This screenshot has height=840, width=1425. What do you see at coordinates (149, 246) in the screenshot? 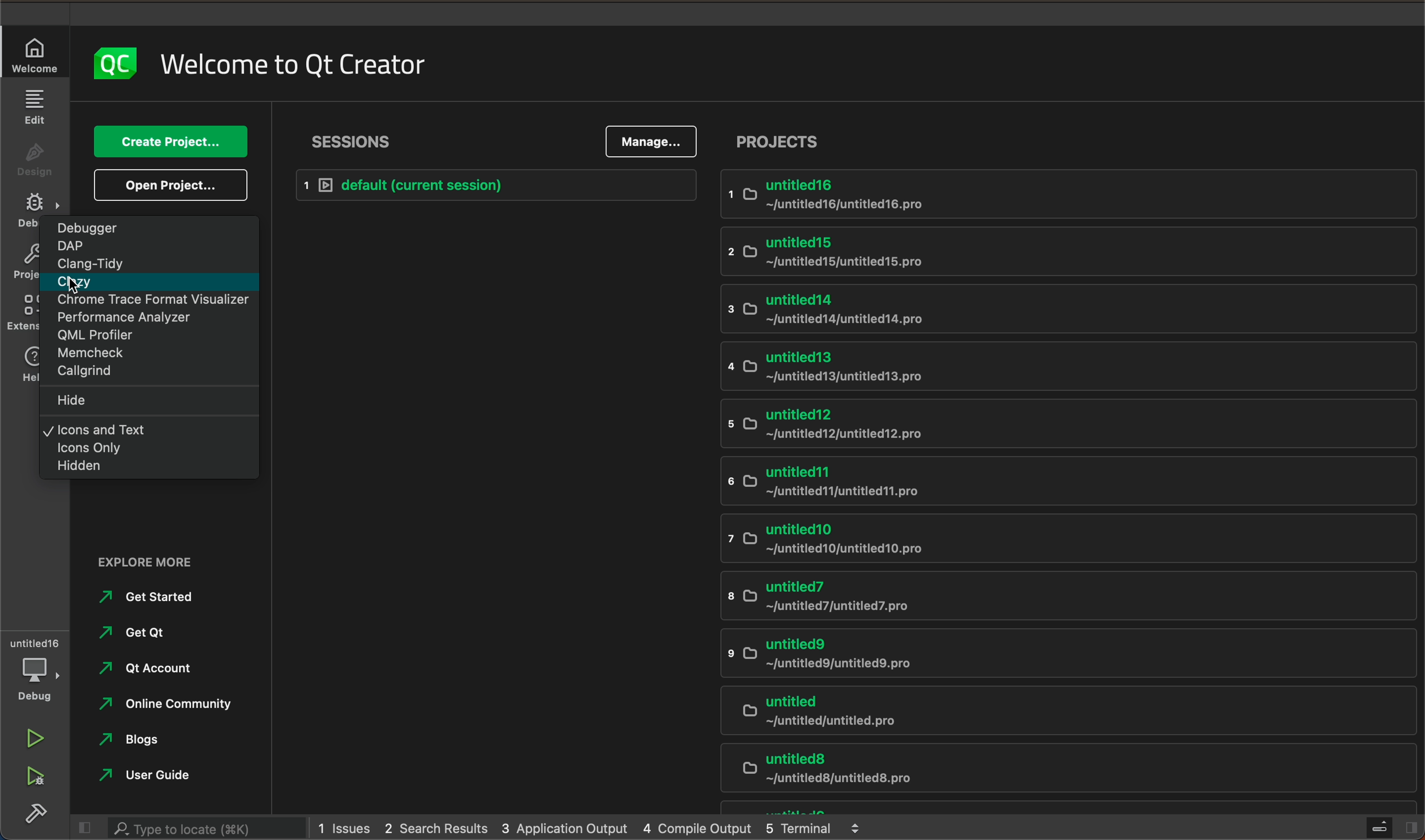
I see `dap` at bounding box center [149, 246].